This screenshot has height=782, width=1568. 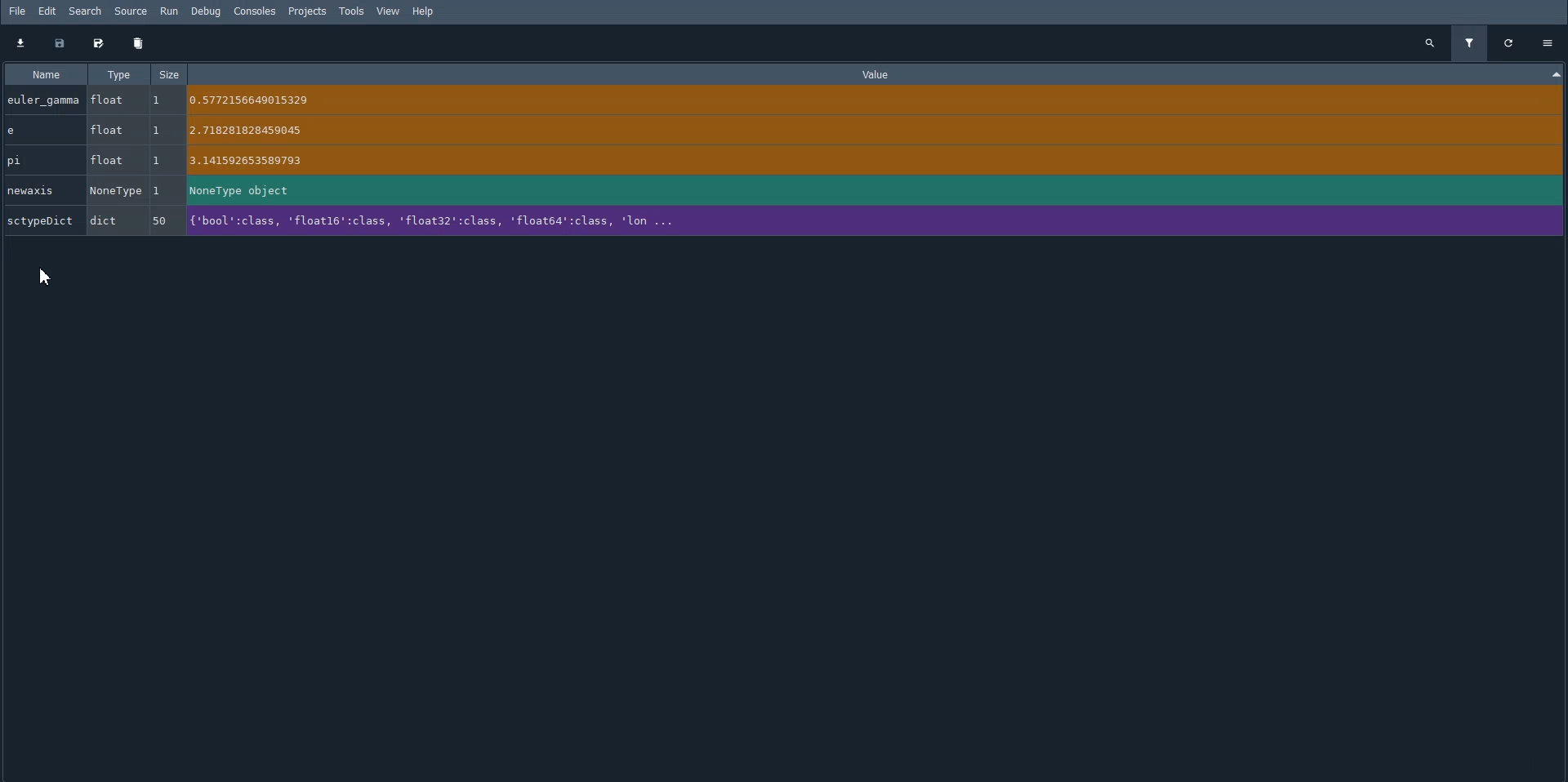 I want to click on Value, so click(x=1085, y=74).